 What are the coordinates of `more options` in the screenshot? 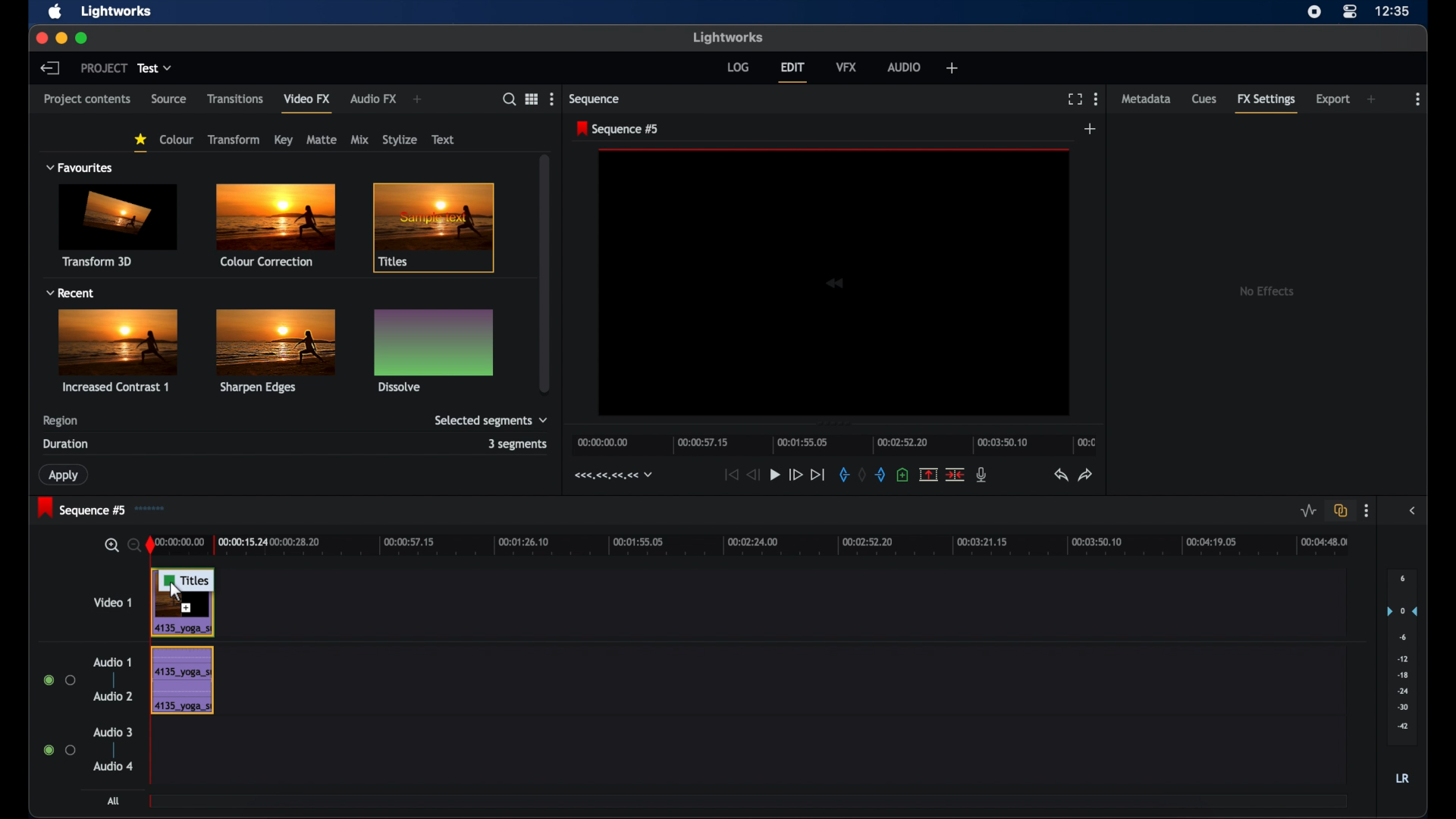 It's located at (1419, 99).